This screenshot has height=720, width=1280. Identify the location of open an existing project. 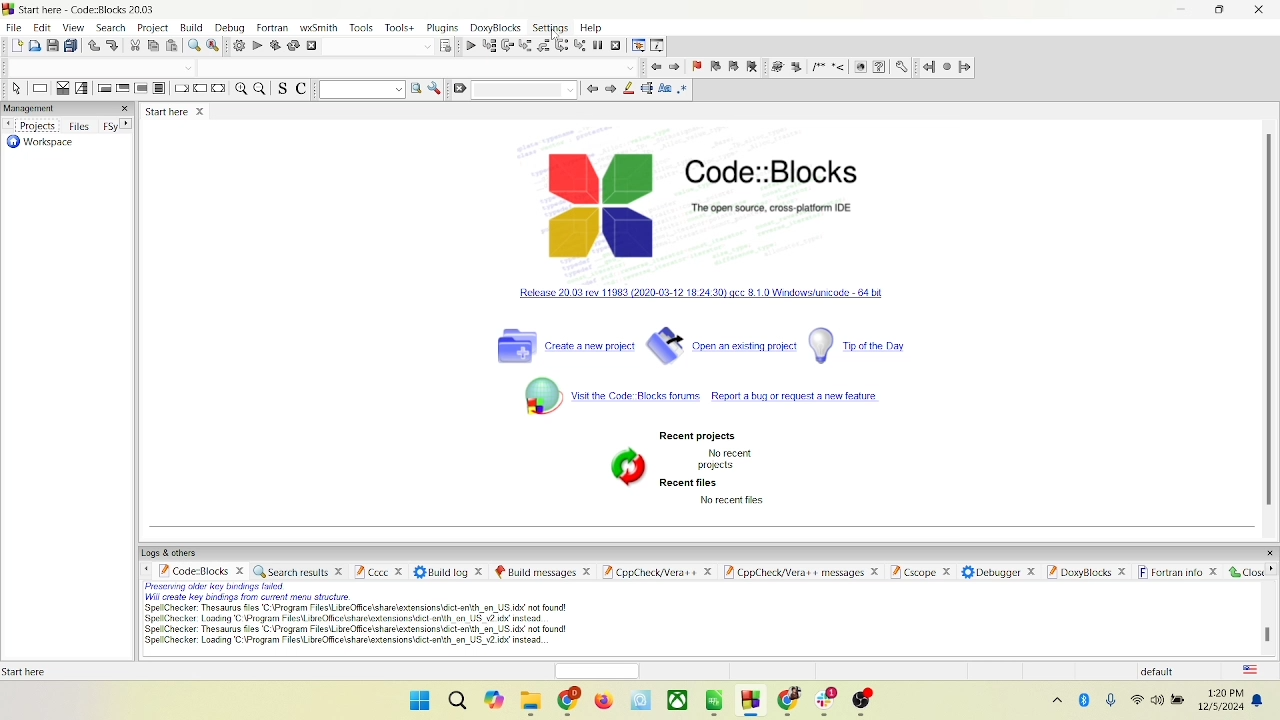
(723, 346).